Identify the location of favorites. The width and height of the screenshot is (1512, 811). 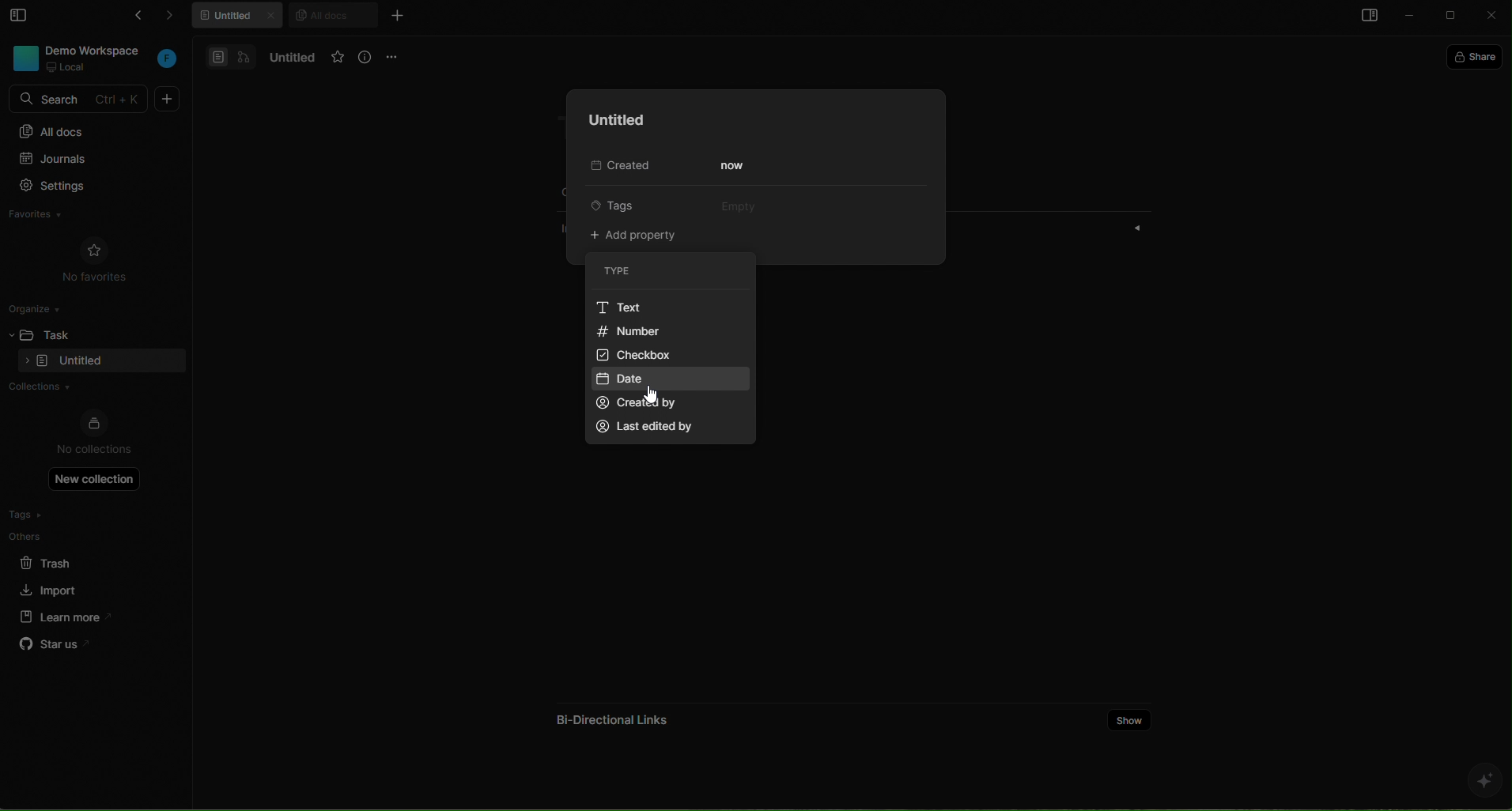
(338, 58).